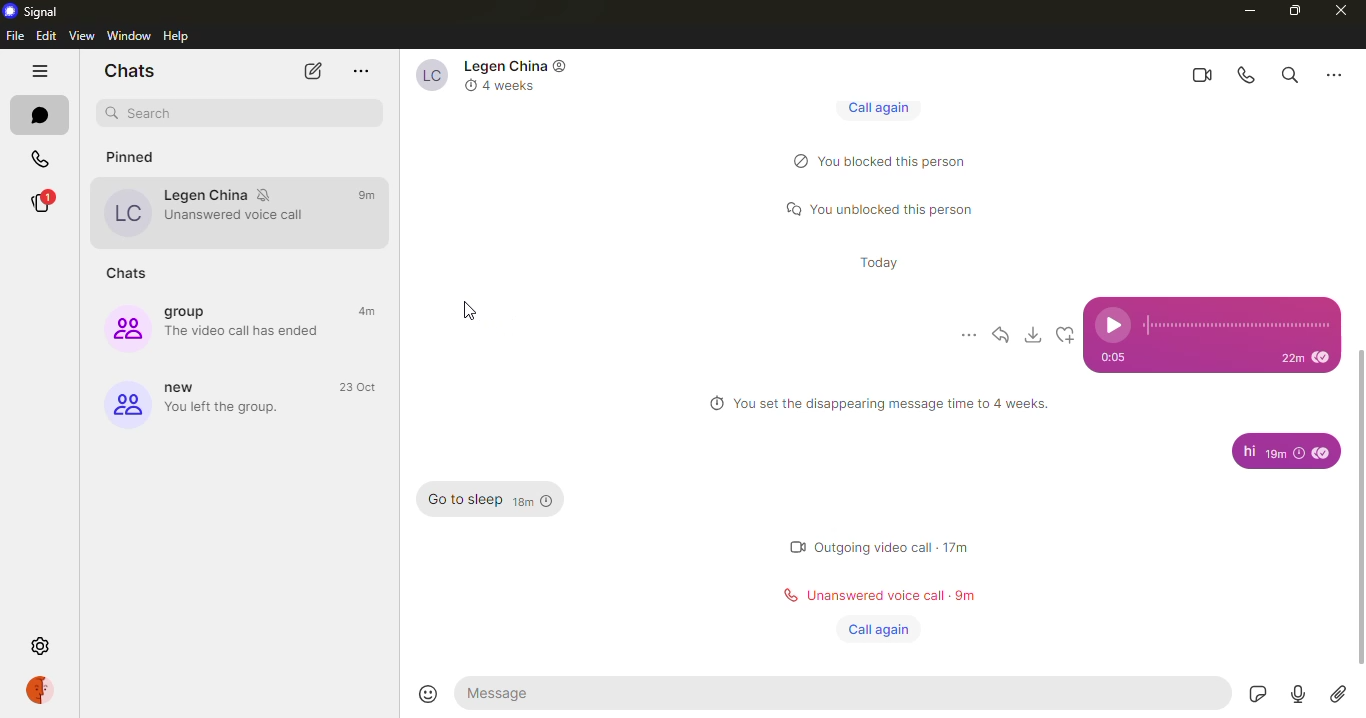  Describe the element at coordinates (966, 596) in the screenshot. I see `time` at that location.